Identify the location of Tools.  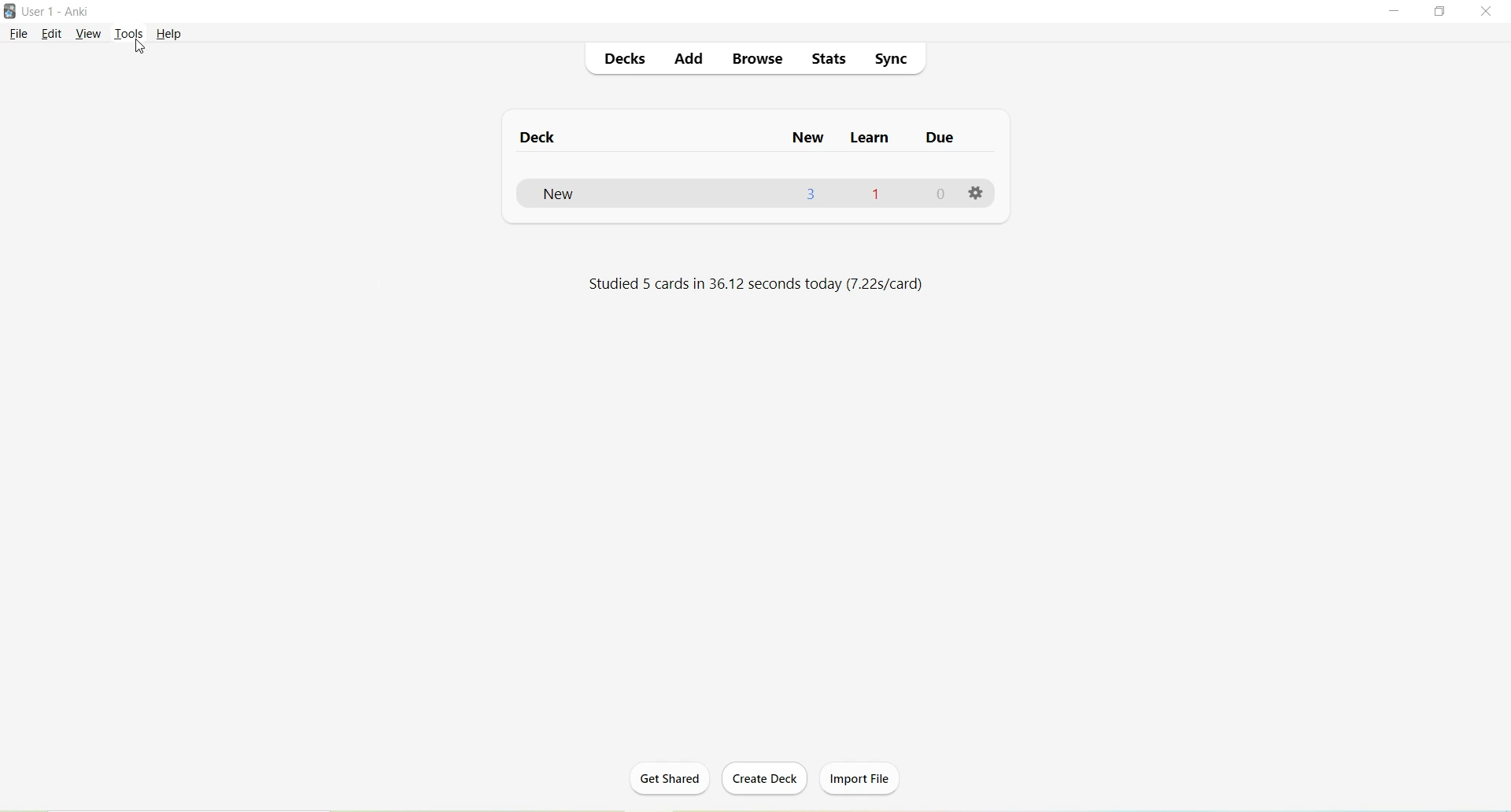
(132, 32).